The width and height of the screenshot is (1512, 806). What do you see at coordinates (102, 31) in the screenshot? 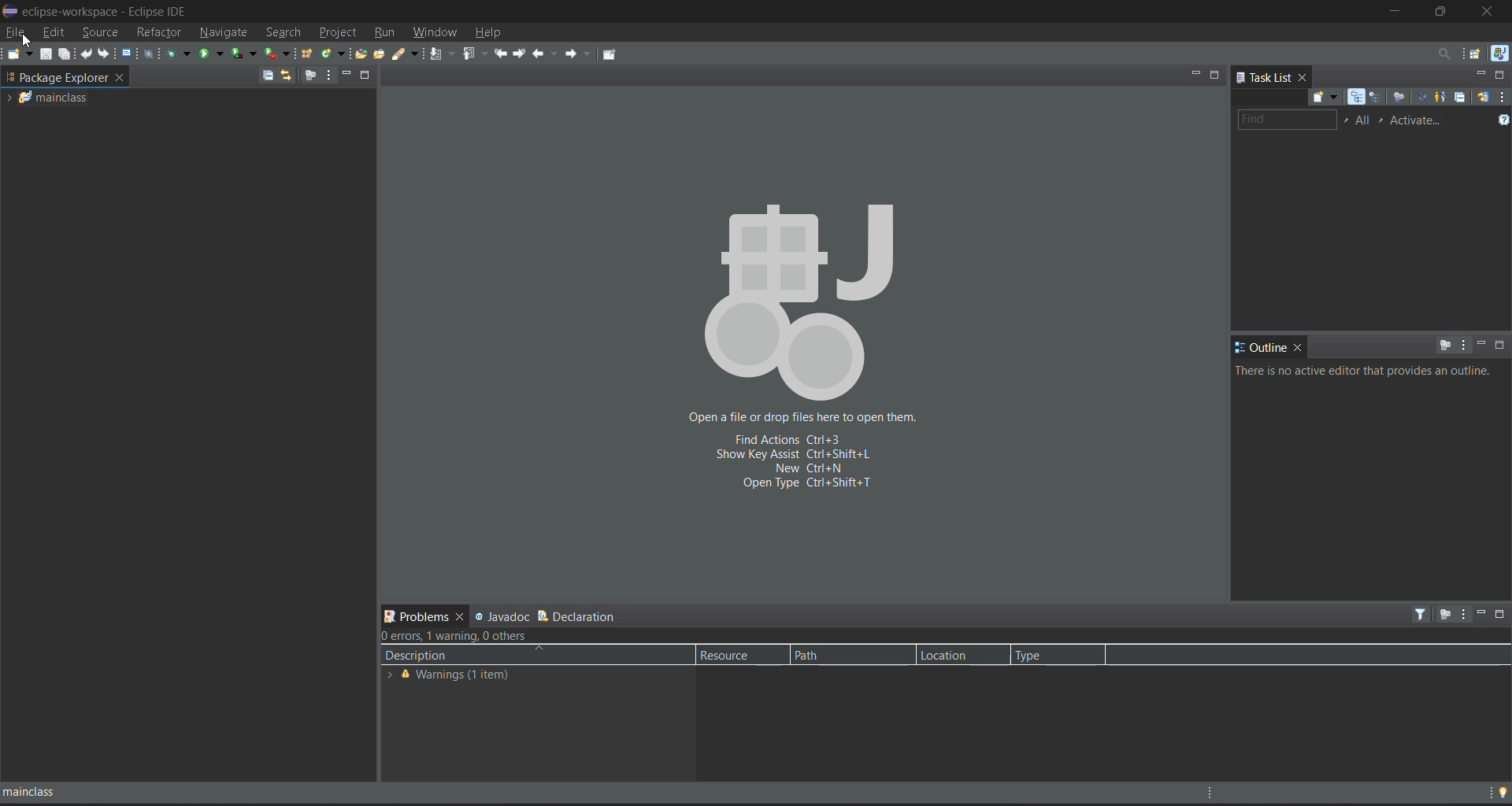
I see `source` at bounding box center [102, 31].